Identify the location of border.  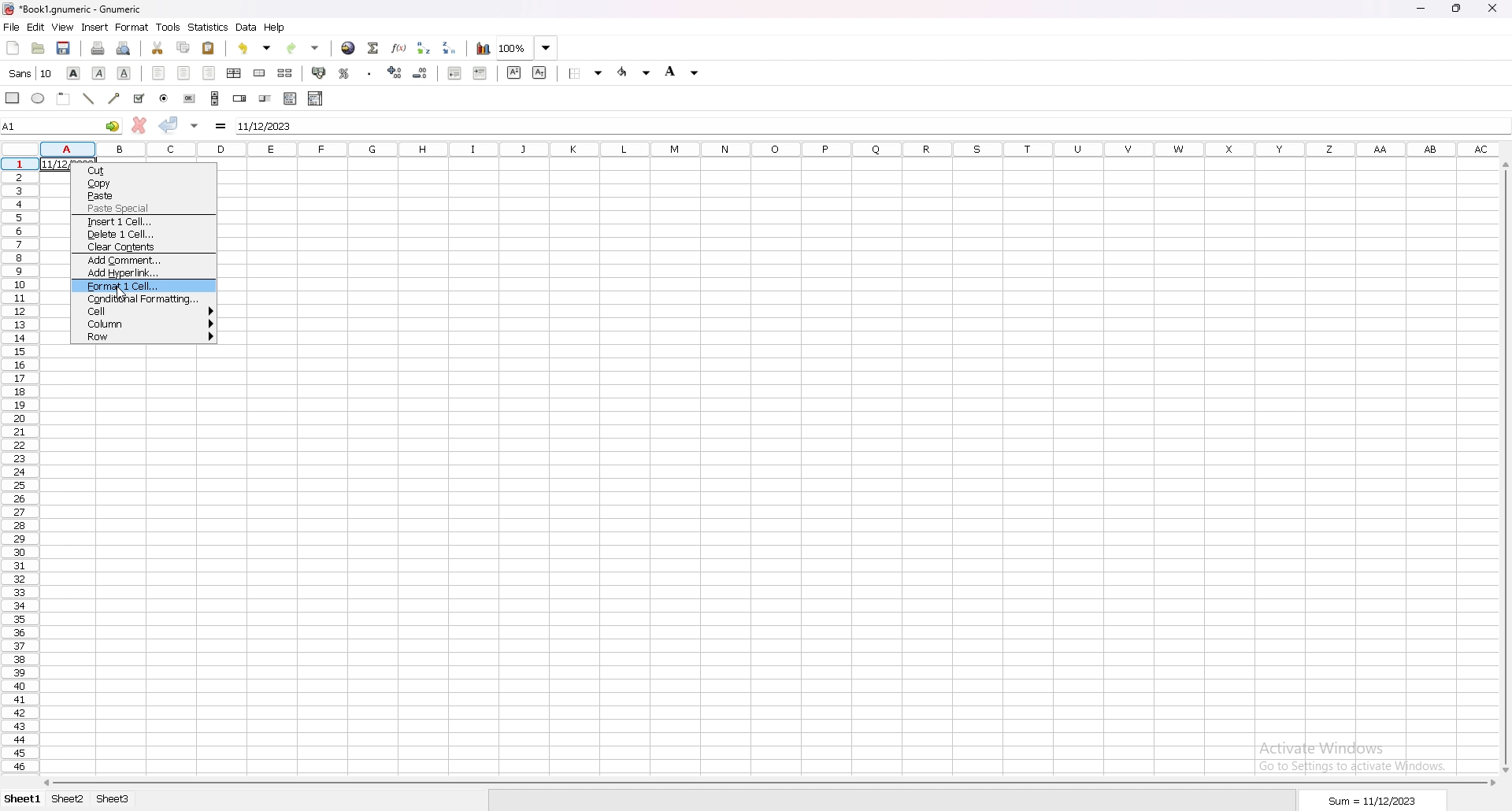
(586, 74).